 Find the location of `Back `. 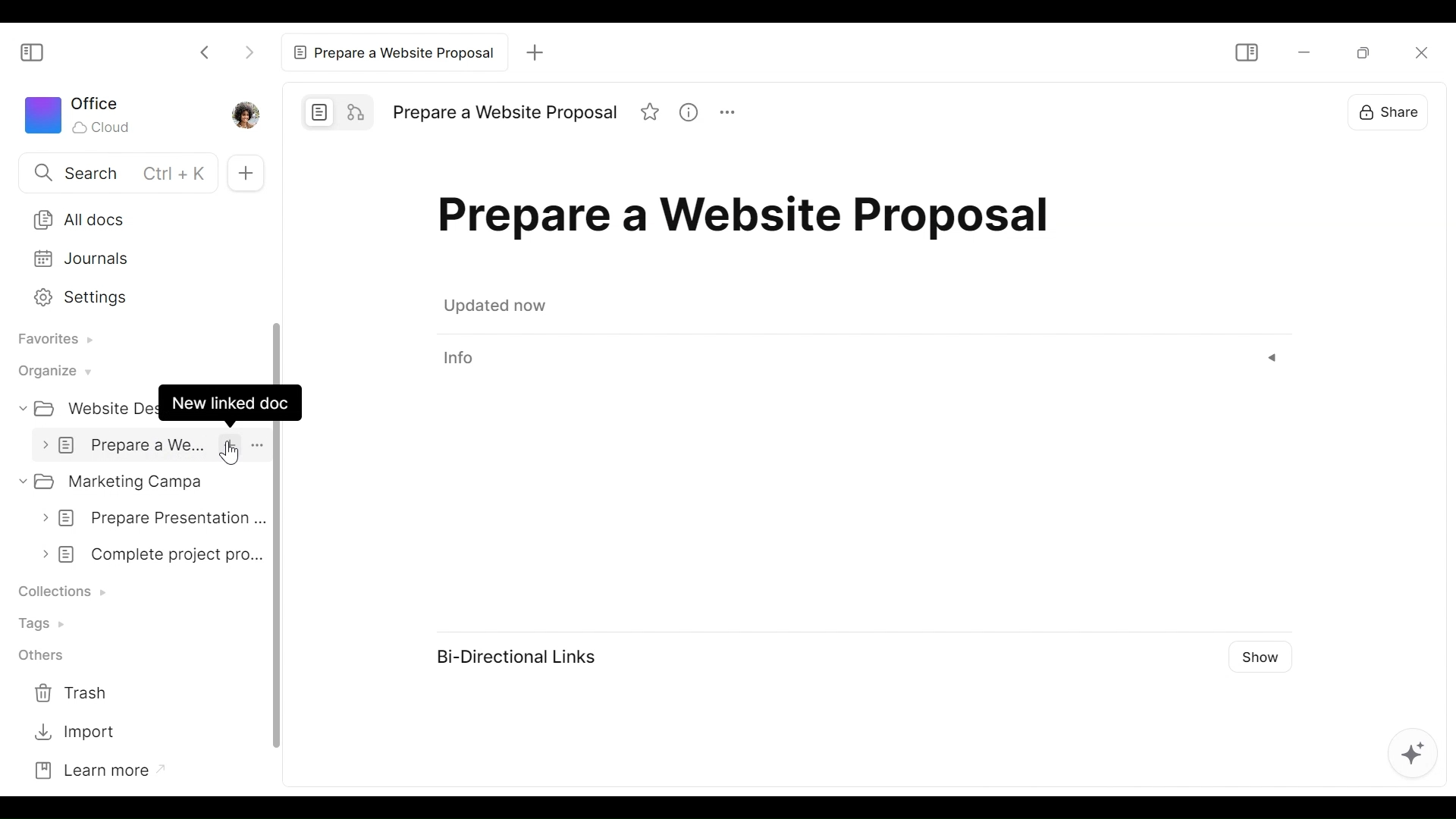

Back  is located at coordinates (206, 52).